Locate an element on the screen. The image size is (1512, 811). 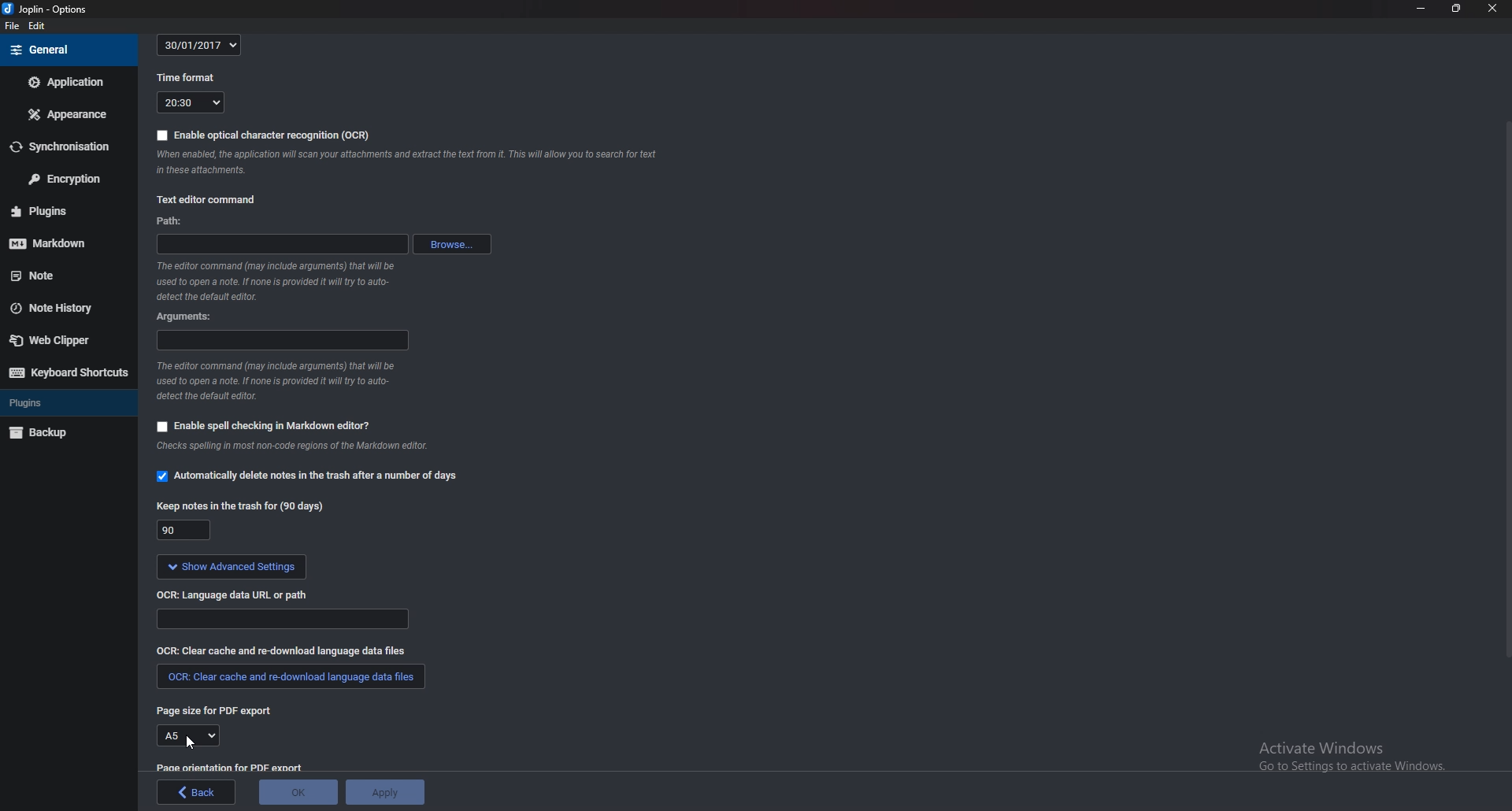
Info on ocr is located at coordinates (409, 165).